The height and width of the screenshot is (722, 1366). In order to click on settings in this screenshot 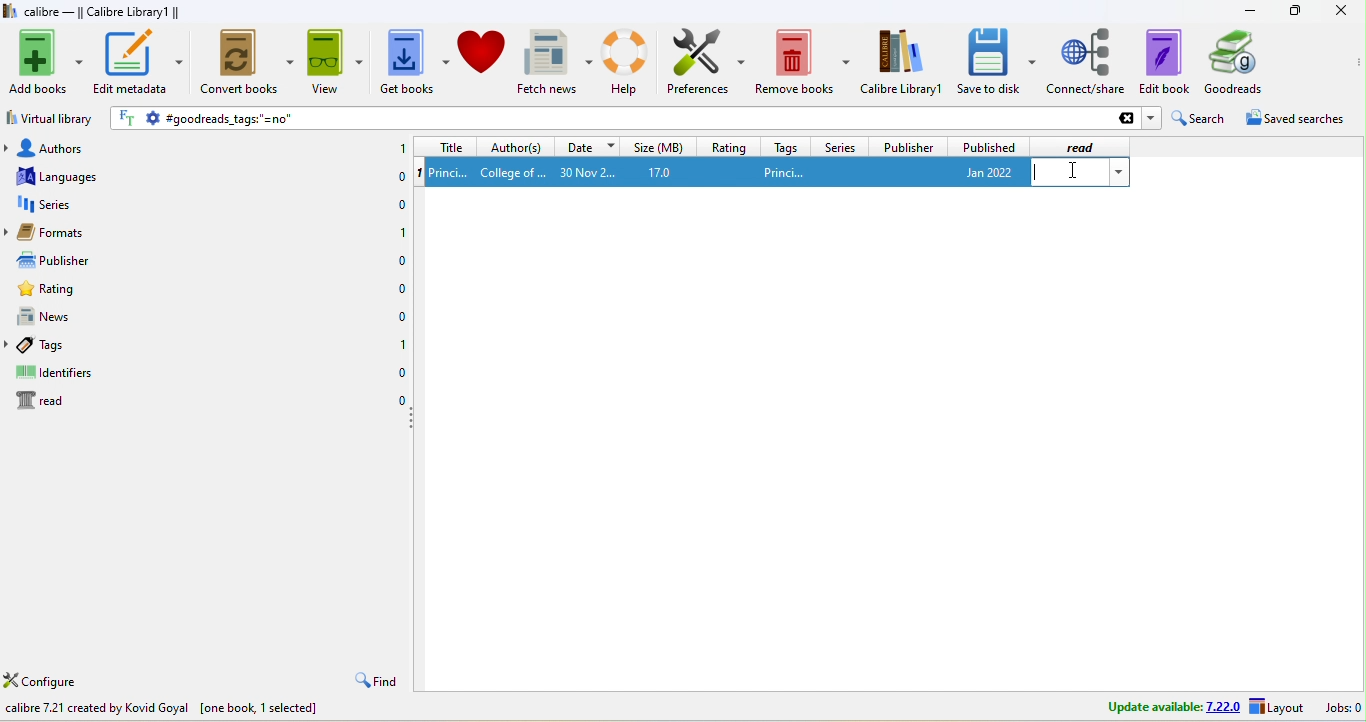, I will do `click(152, 119)`.